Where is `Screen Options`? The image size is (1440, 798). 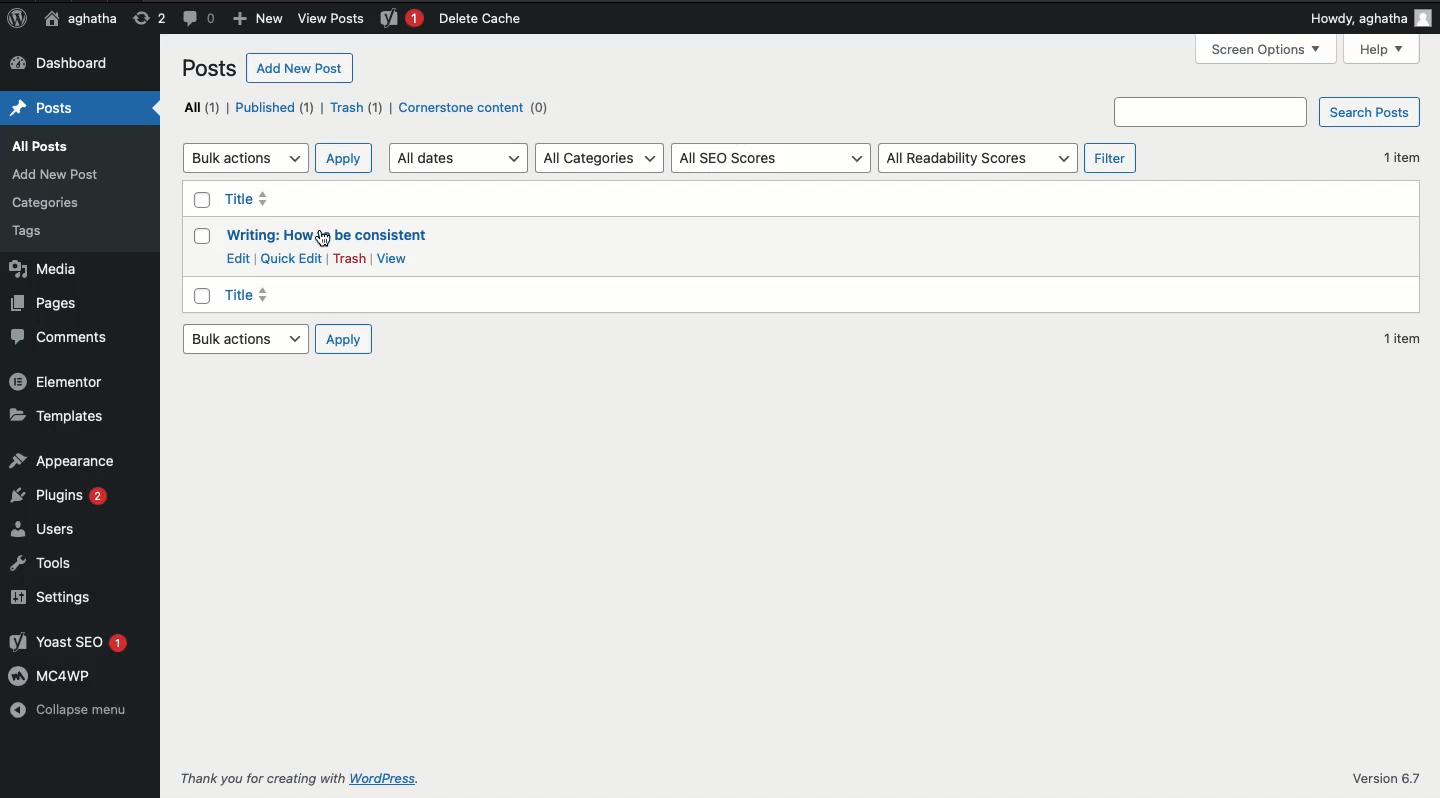
Screen Options is located at coordinates (1263, 50).